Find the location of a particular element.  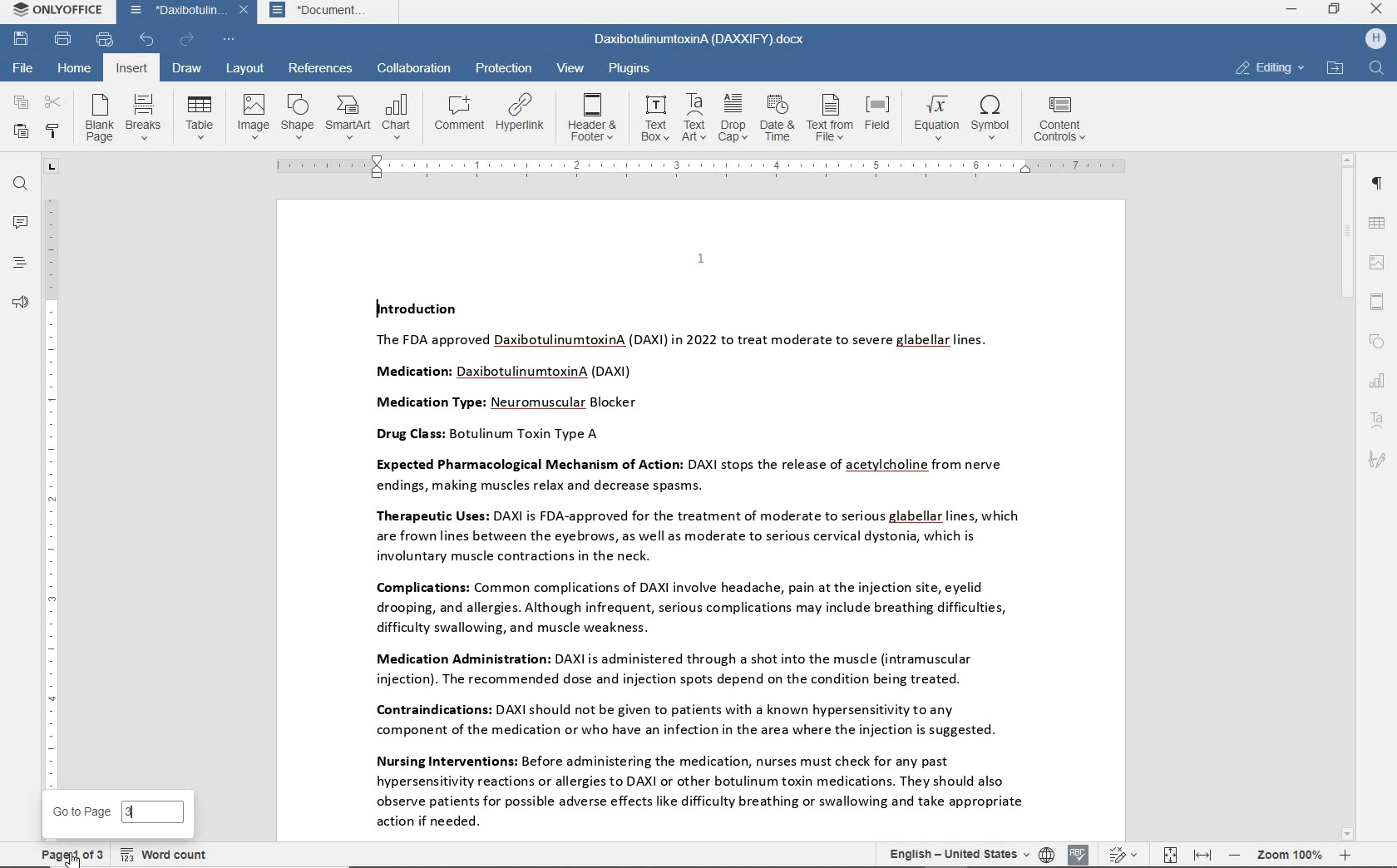

redo is located at coordinates (187, 39).